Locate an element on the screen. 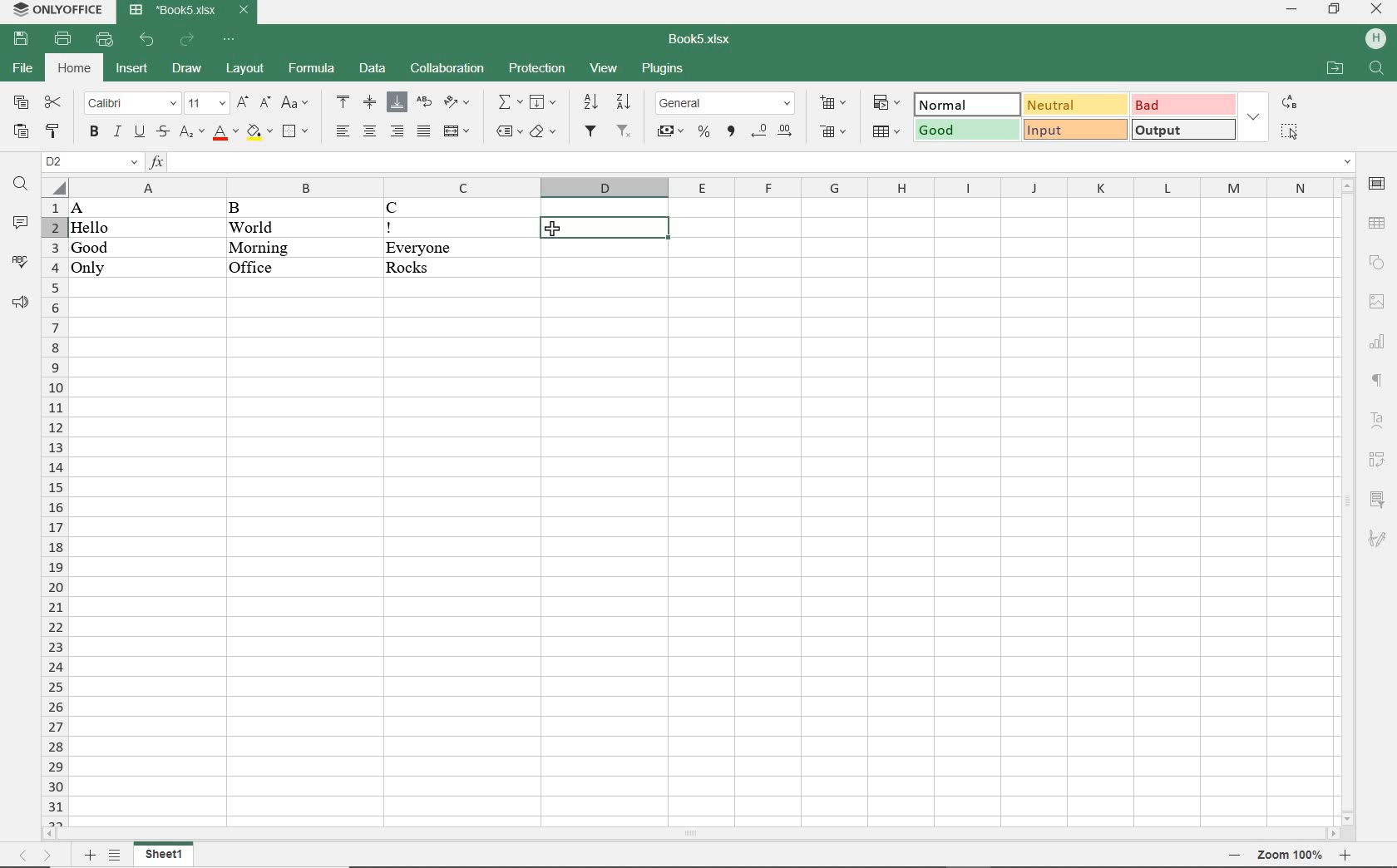 Image resolution: width=1397 pixels, height=868 pixels. input function is located at coordinates (753, 163).